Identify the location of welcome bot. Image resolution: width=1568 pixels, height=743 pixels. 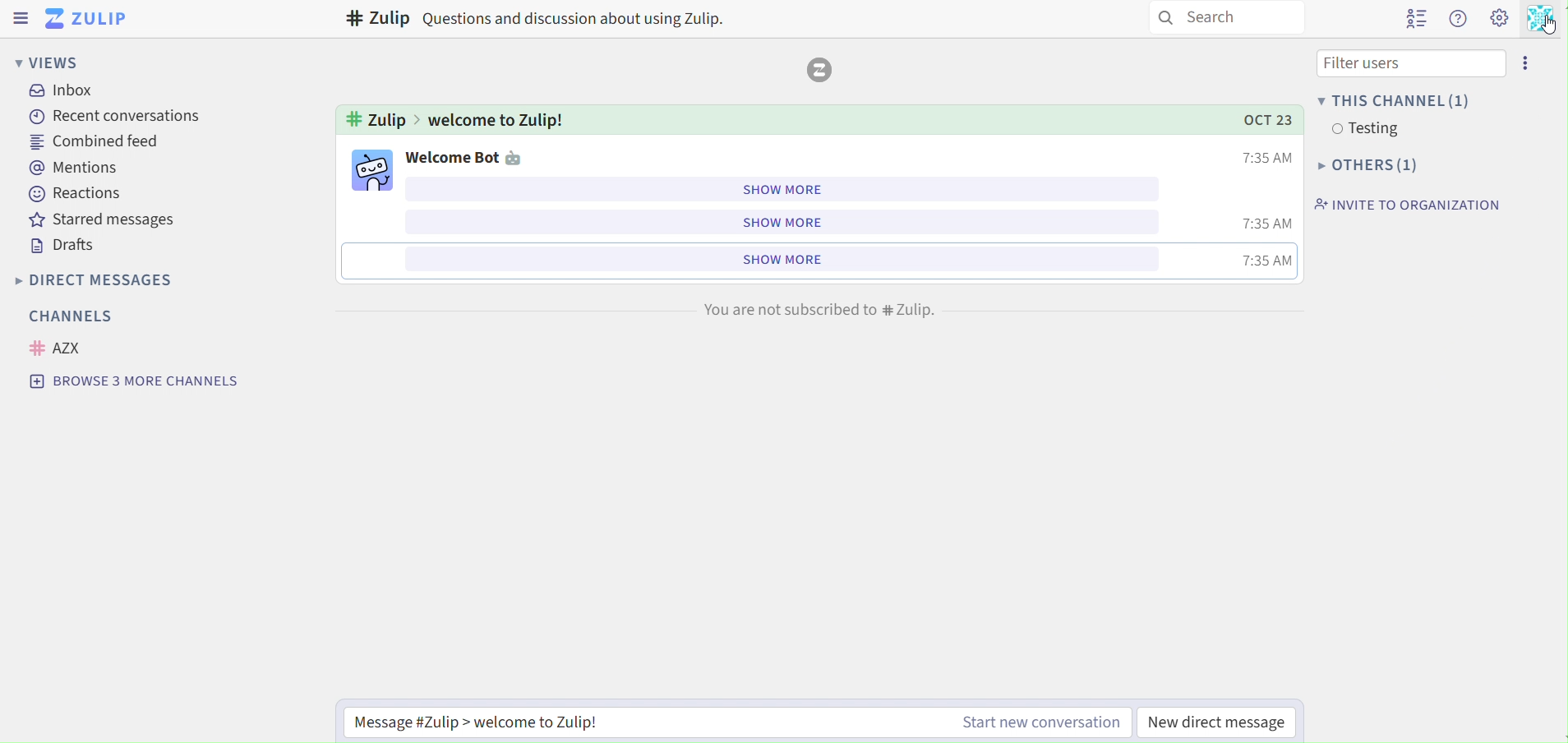
(474, 157).